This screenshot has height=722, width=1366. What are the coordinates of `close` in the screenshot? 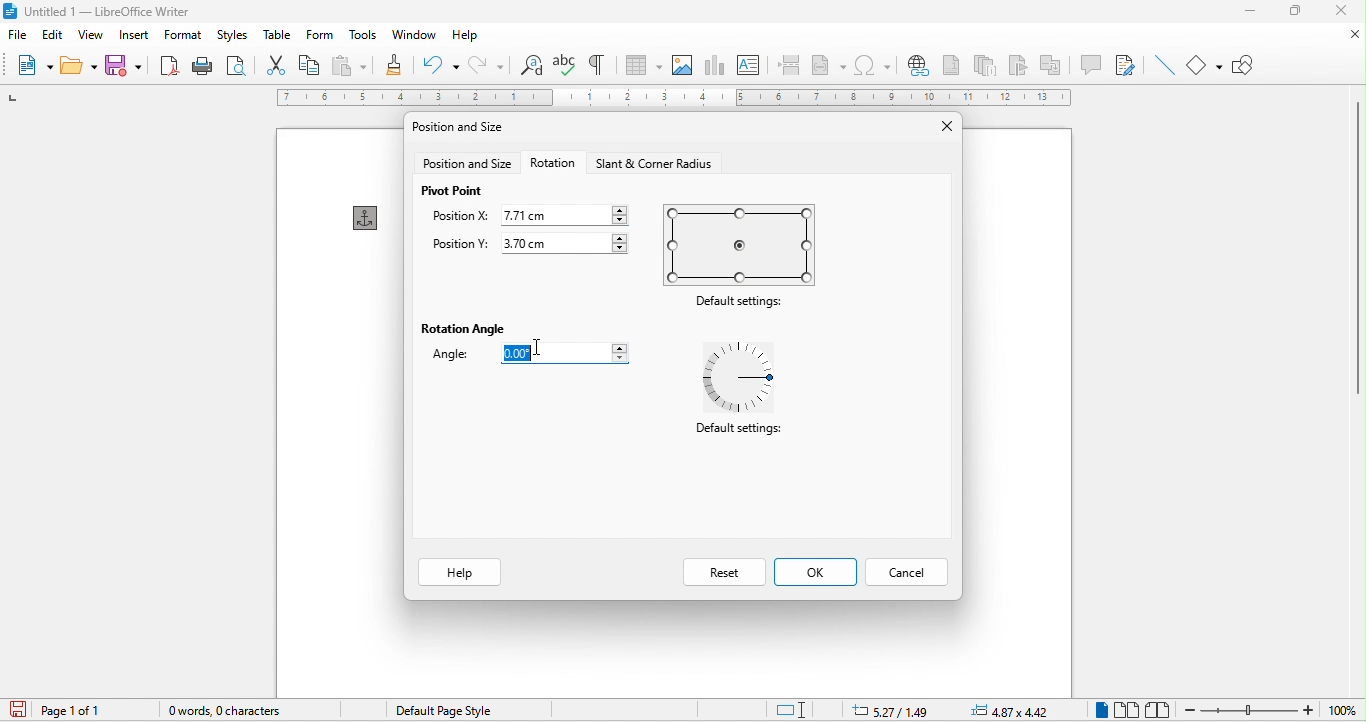 It's located at (1352, 35).